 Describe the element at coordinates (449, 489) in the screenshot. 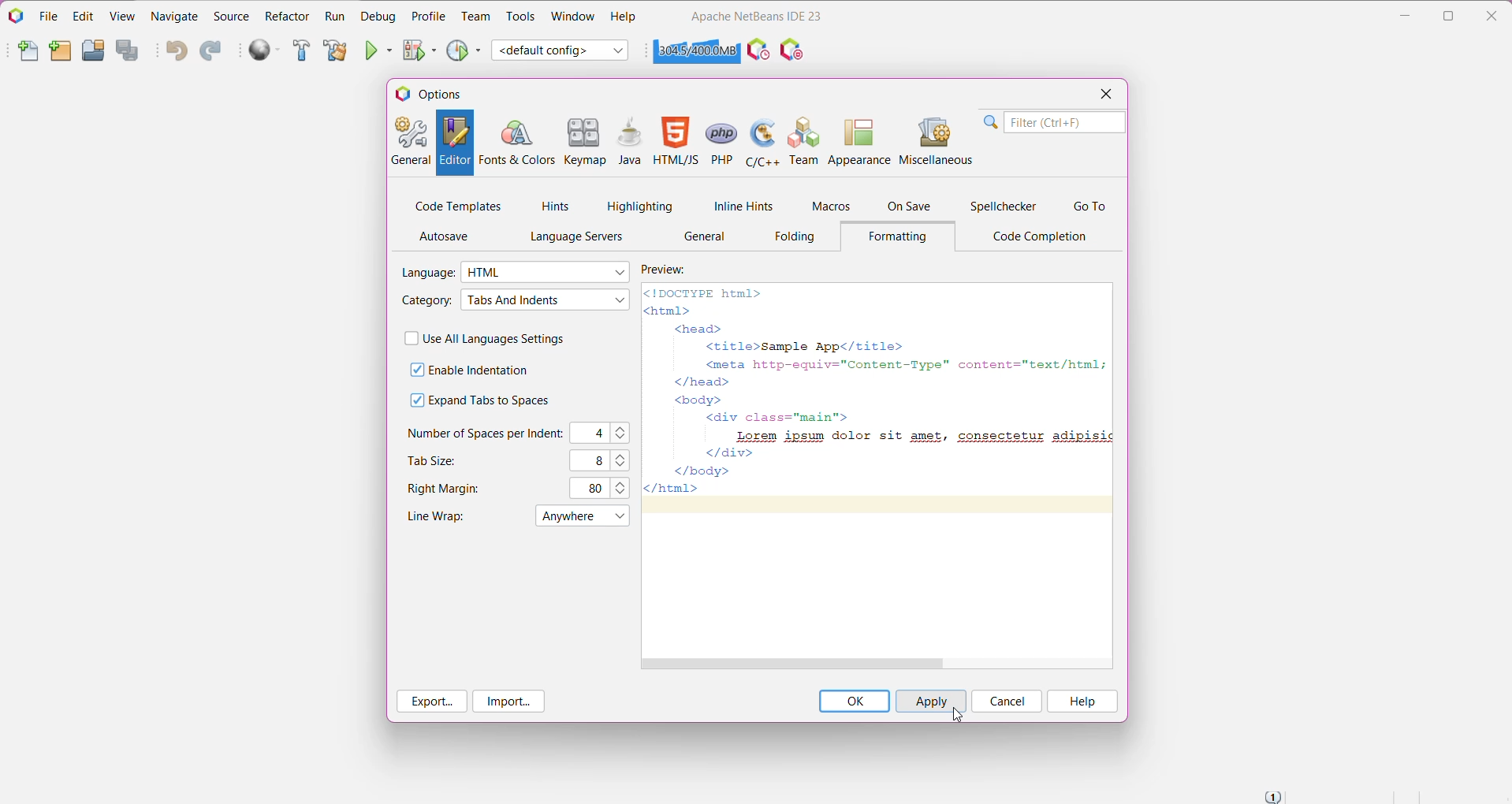

I see `Right Margins` at that location.